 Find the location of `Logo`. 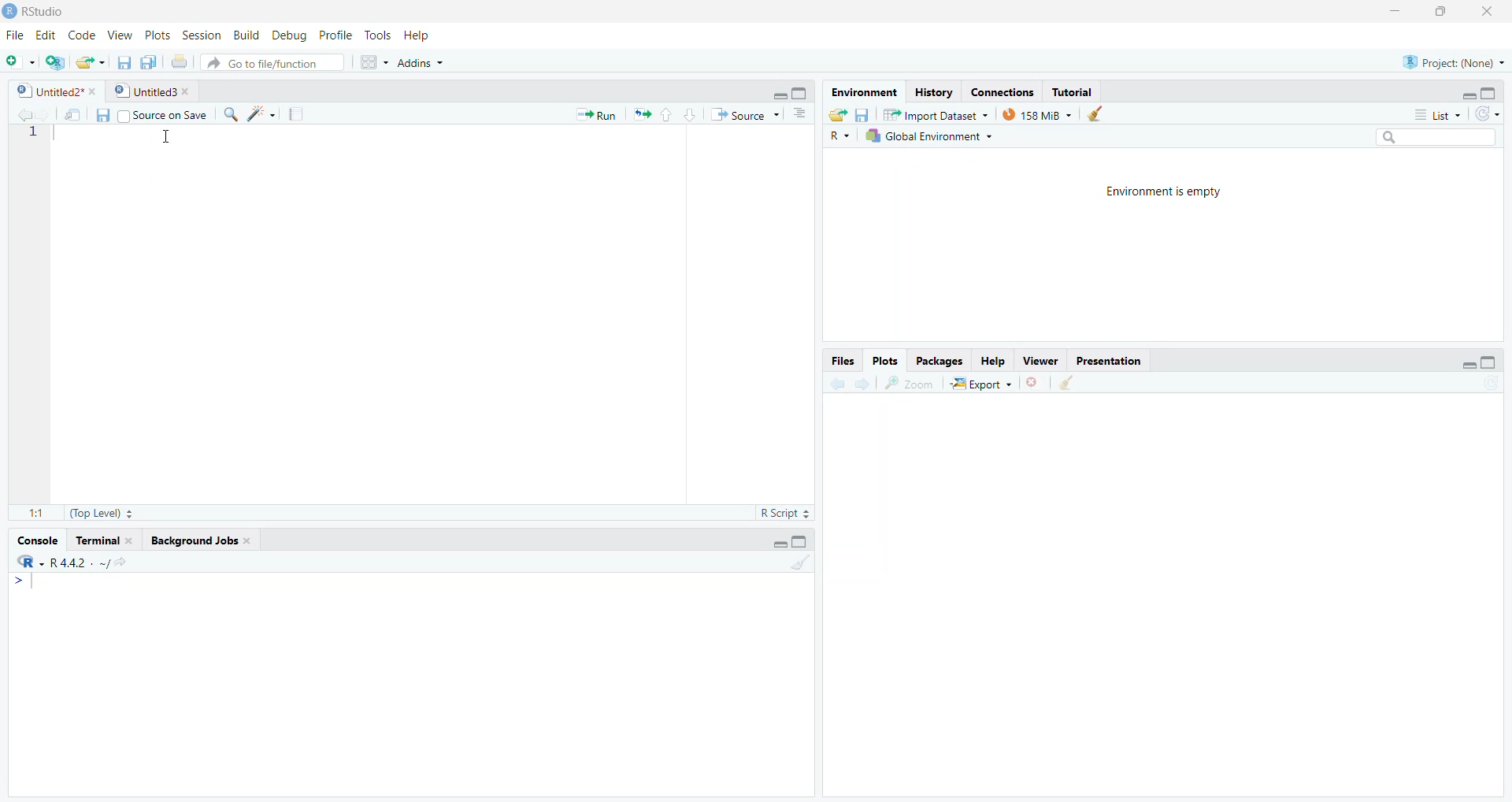

Logo is located at coordinates (9, 9).